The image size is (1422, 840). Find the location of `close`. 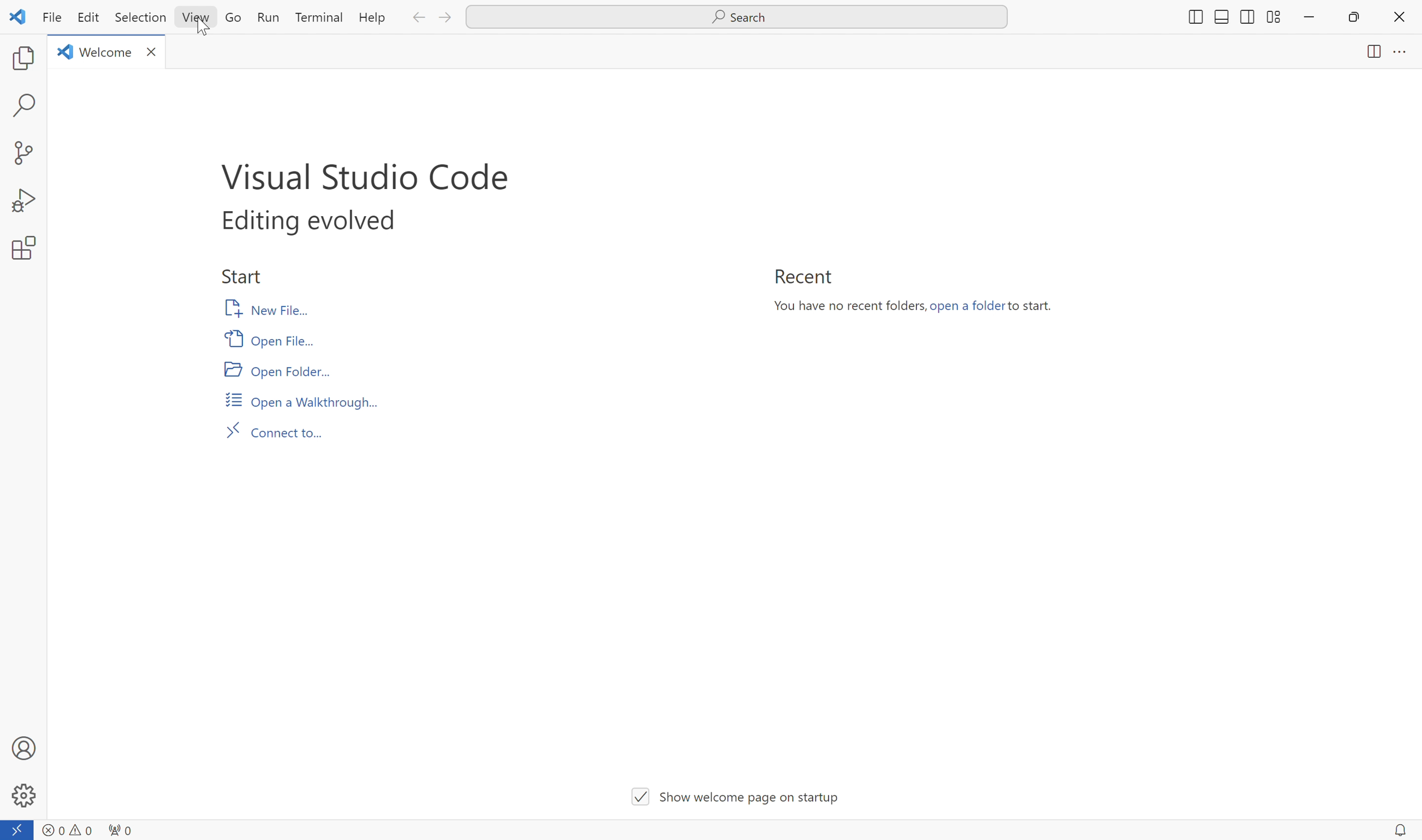

close is located at coordinates (1400, 19).